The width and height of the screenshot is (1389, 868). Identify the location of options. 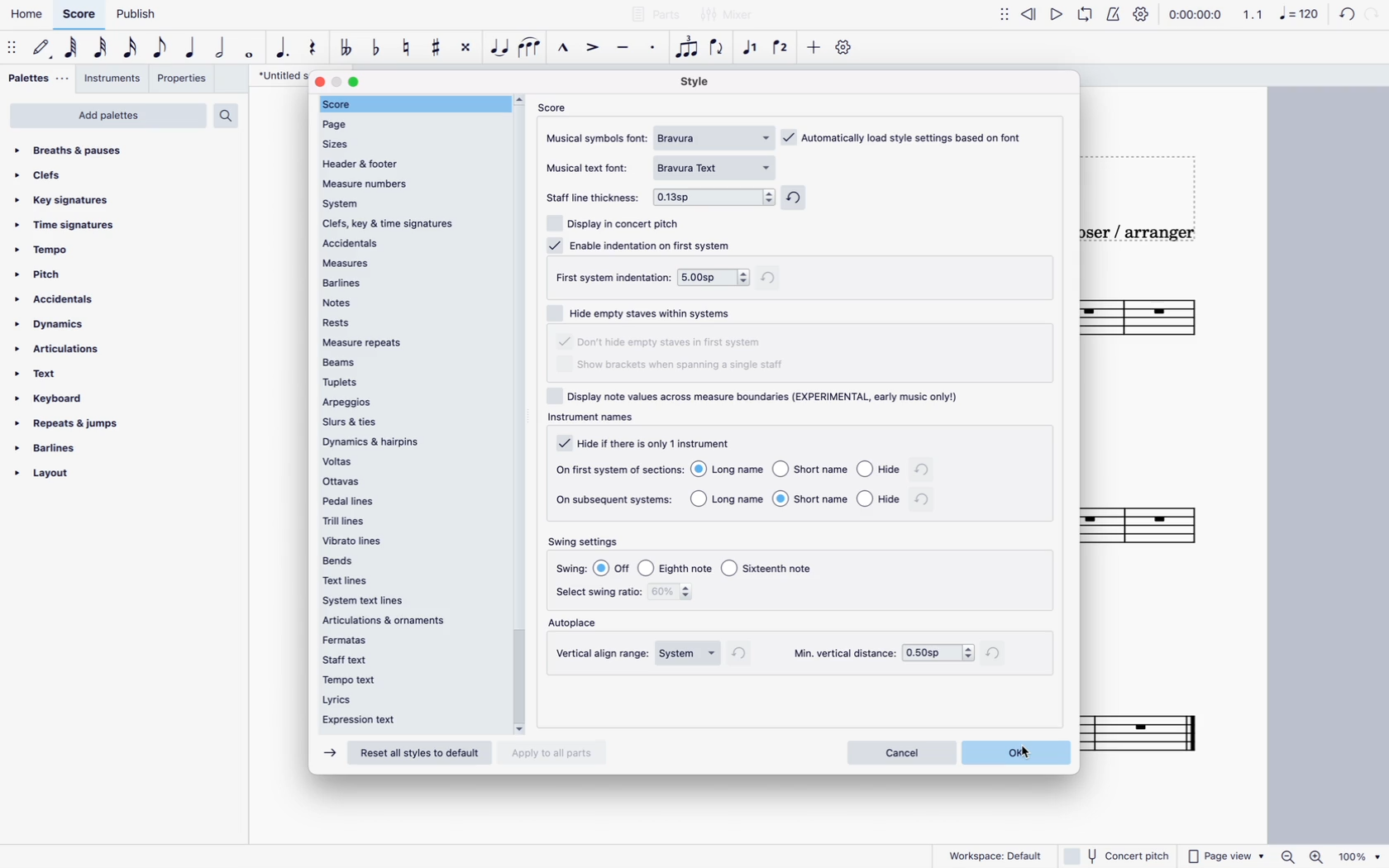
(796, 472).